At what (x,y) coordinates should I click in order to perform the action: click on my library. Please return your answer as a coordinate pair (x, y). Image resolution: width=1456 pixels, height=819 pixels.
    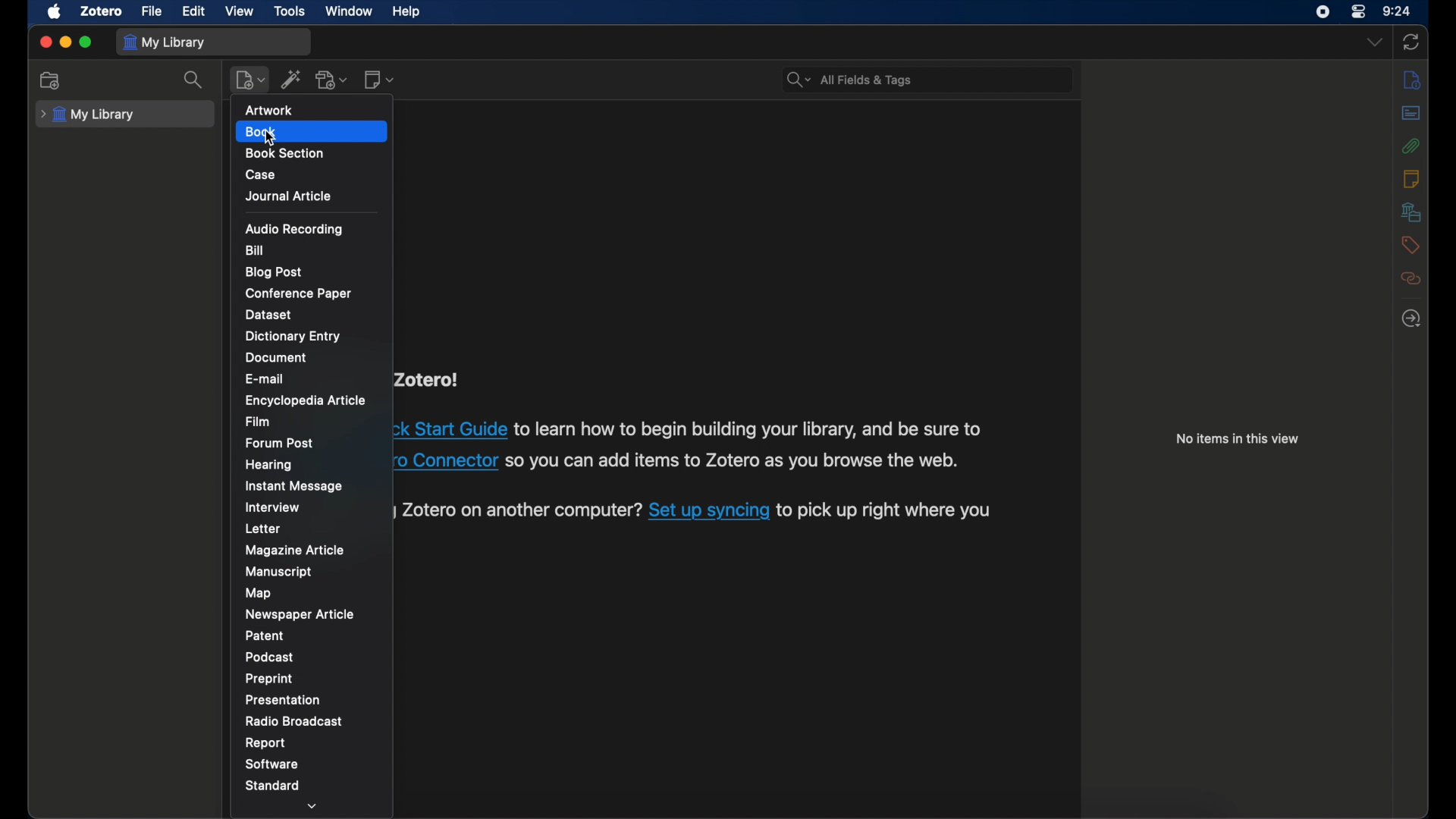
    Looking at the image, I should click on (165, 43).